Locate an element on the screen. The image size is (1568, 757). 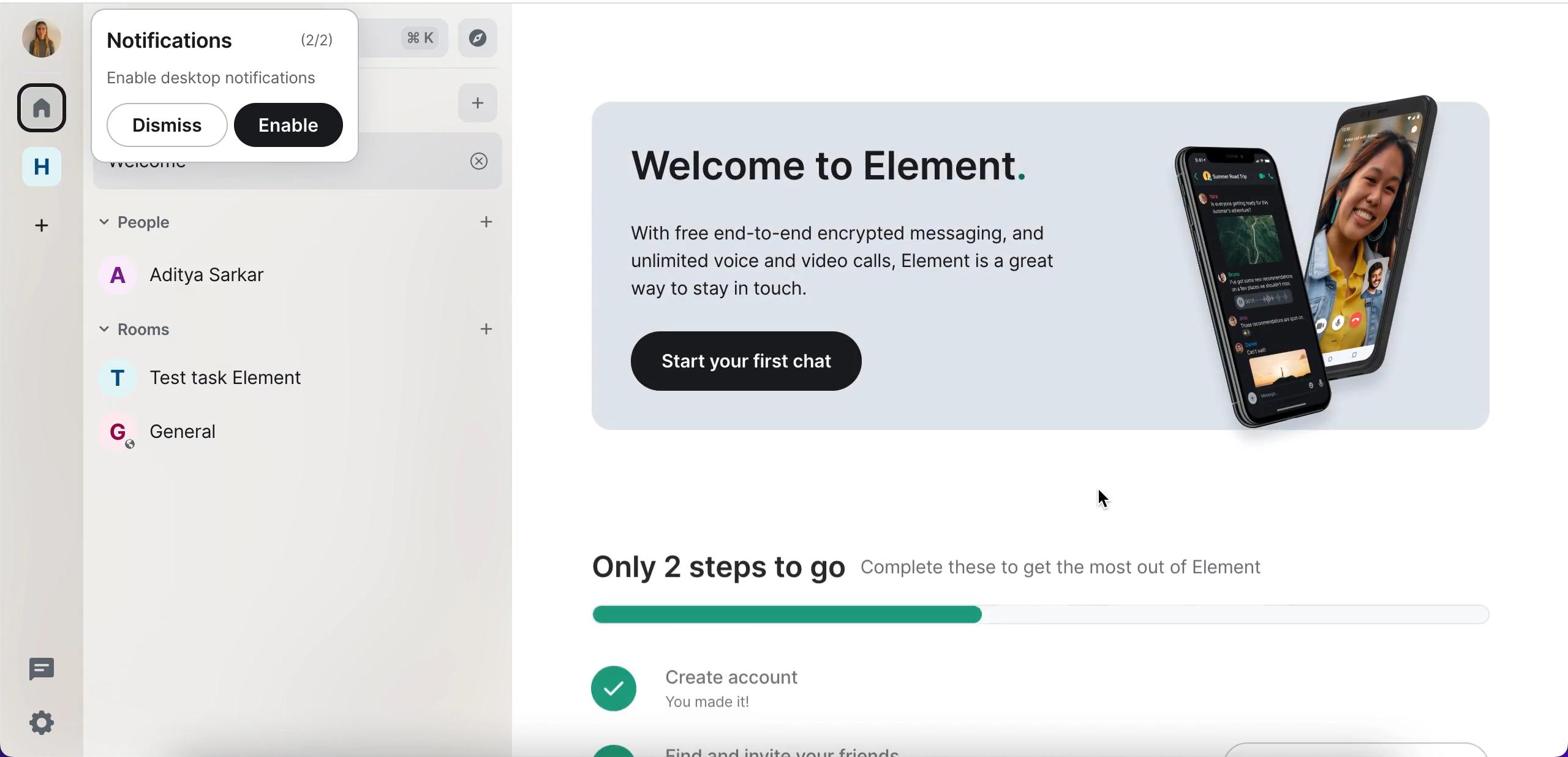
add is located at coordinates (485, 330).